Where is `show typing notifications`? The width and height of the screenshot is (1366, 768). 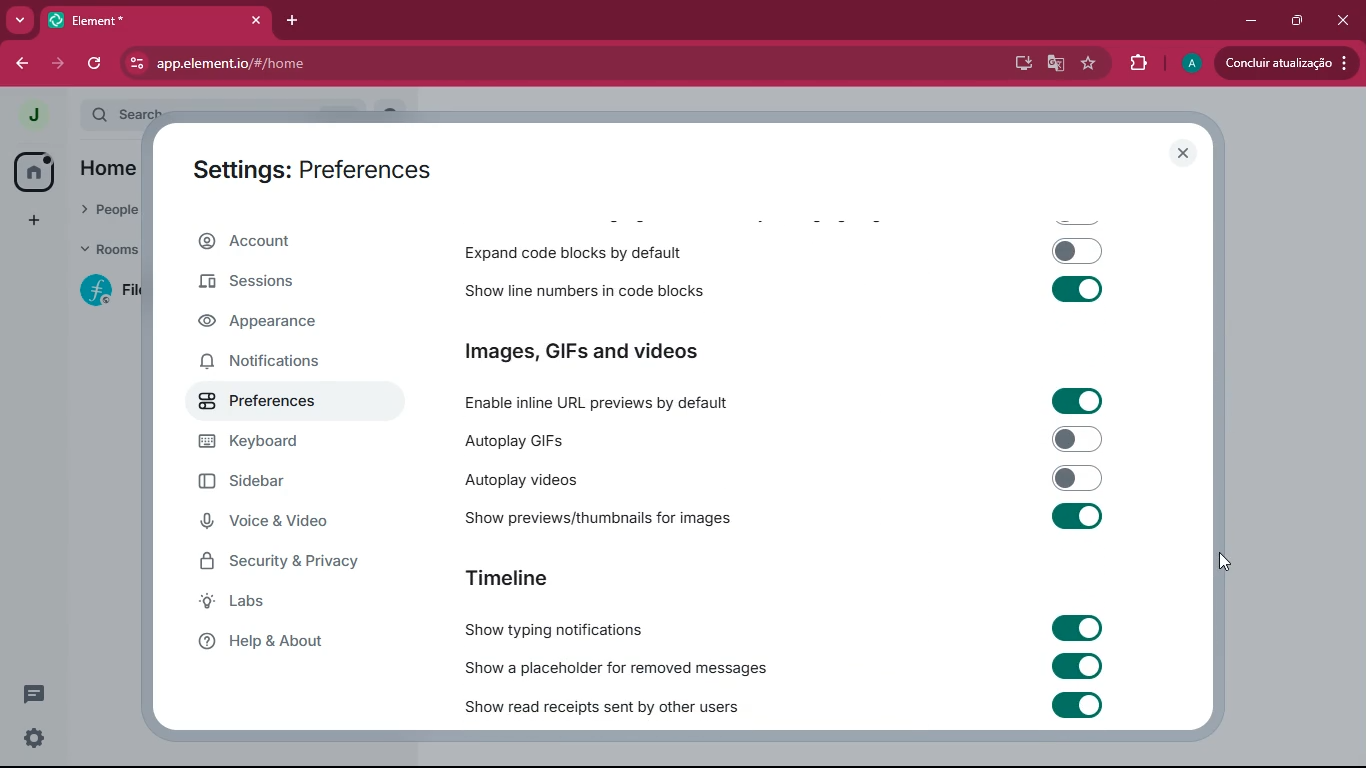 show typing notifications is located at coordinates (573, 629).